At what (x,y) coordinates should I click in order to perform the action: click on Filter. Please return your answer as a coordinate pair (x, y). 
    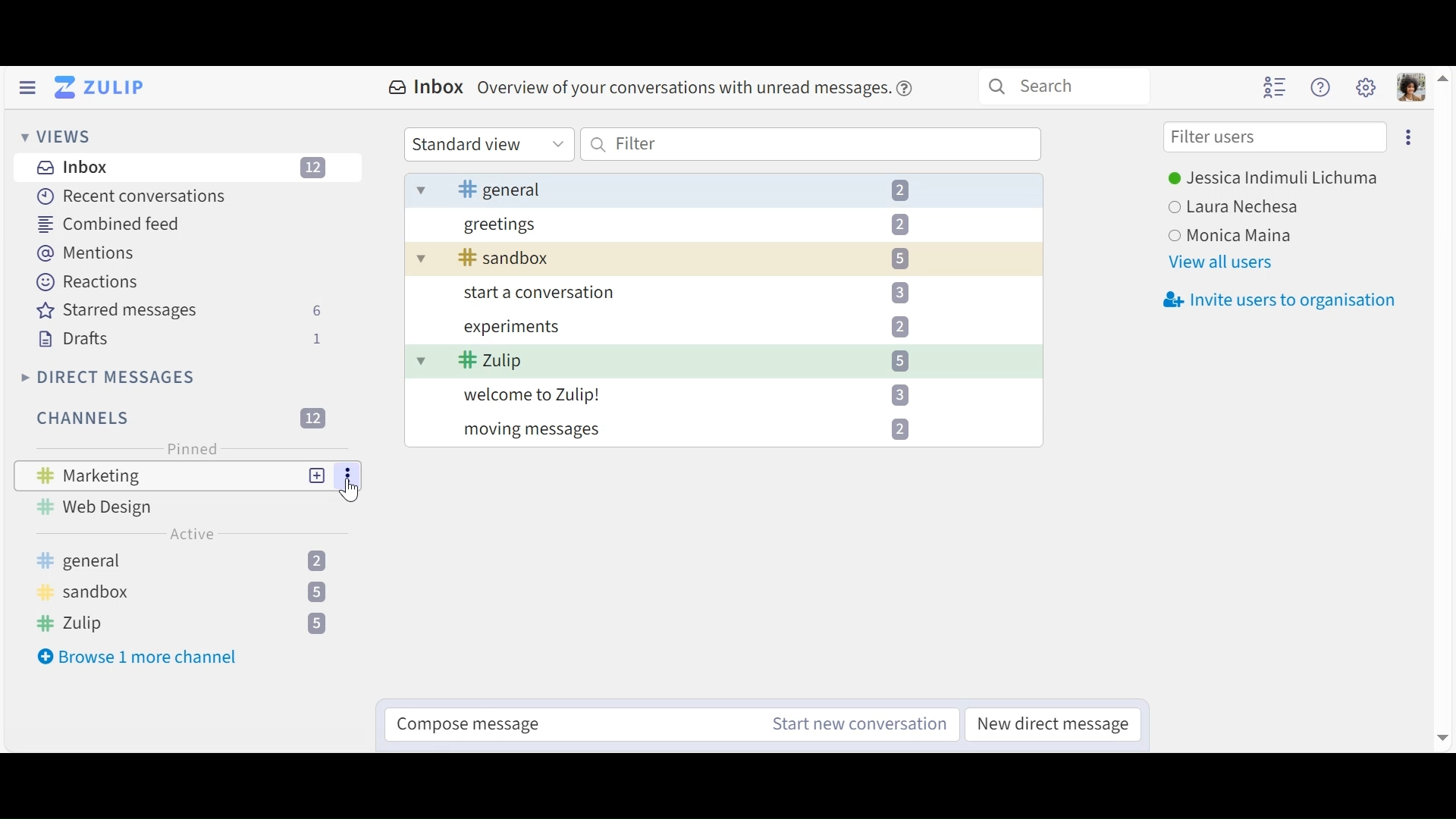
    Looking at the image, I should click on (811, 144).